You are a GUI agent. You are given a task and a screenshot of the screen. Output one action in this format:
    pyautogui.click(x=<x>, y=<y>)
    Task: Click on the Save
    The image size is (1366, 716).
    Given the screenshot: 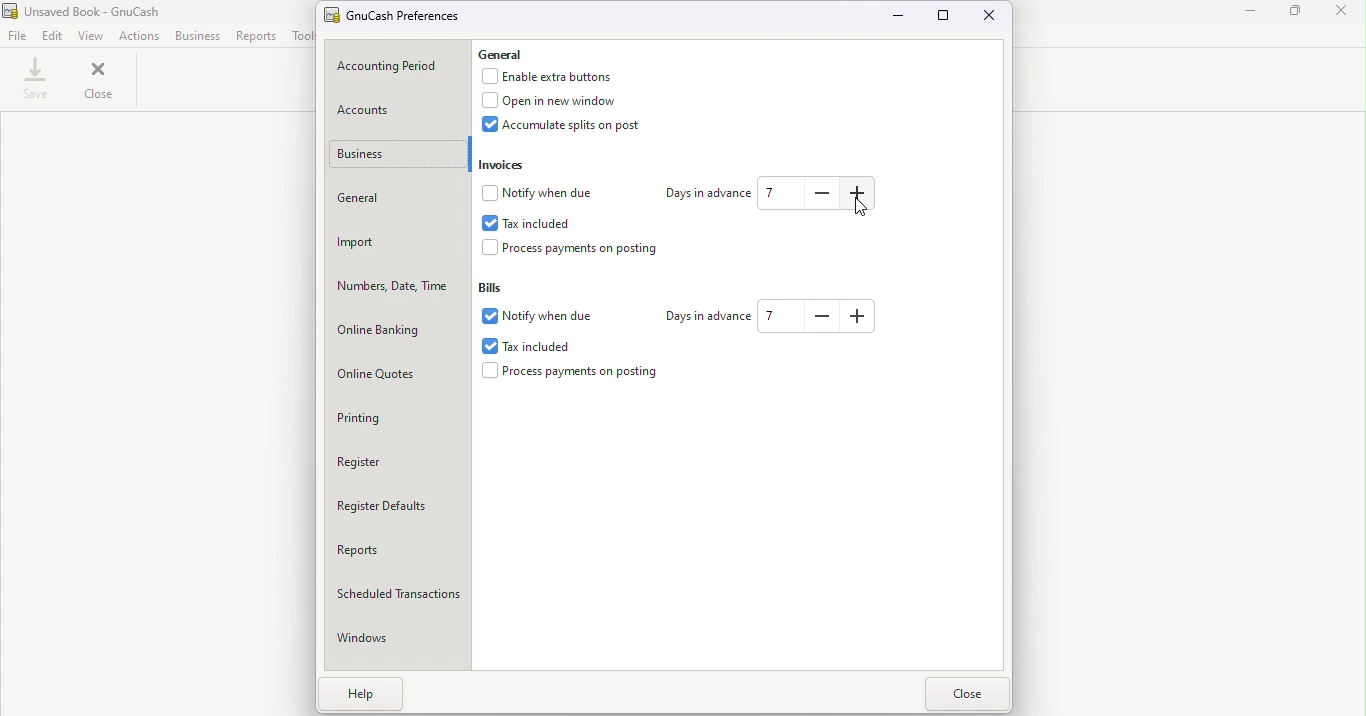 What is the action you would take?
    pyautogui.click(x=33, y=82)
    